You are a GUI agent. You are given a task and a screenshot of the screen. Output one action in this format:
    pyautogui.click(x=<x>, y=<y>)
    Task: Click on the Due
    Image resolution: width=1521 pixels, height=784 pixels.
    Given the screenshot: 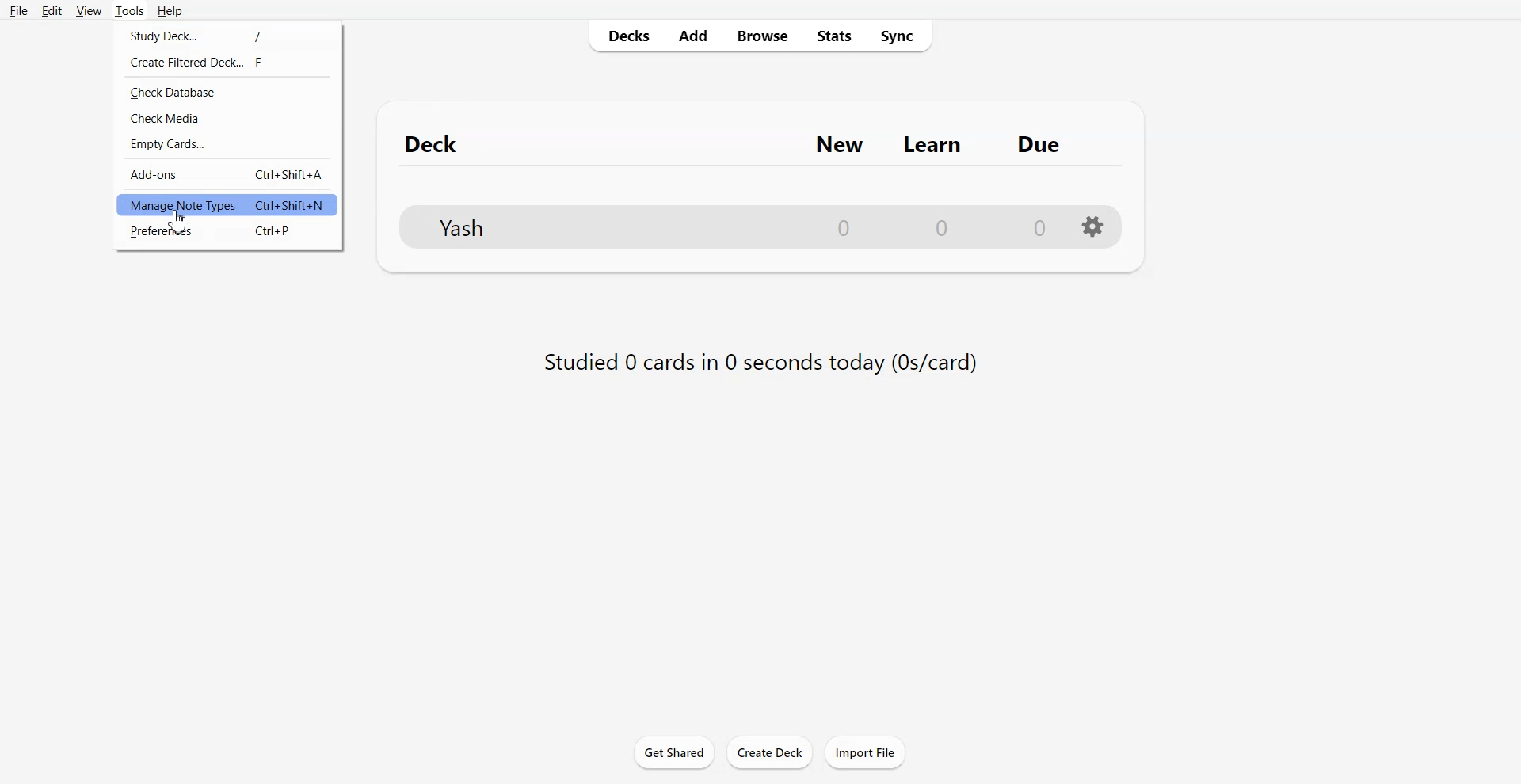 What is the action you would take?
    pyautogui.click(x=1039, y=144)
    